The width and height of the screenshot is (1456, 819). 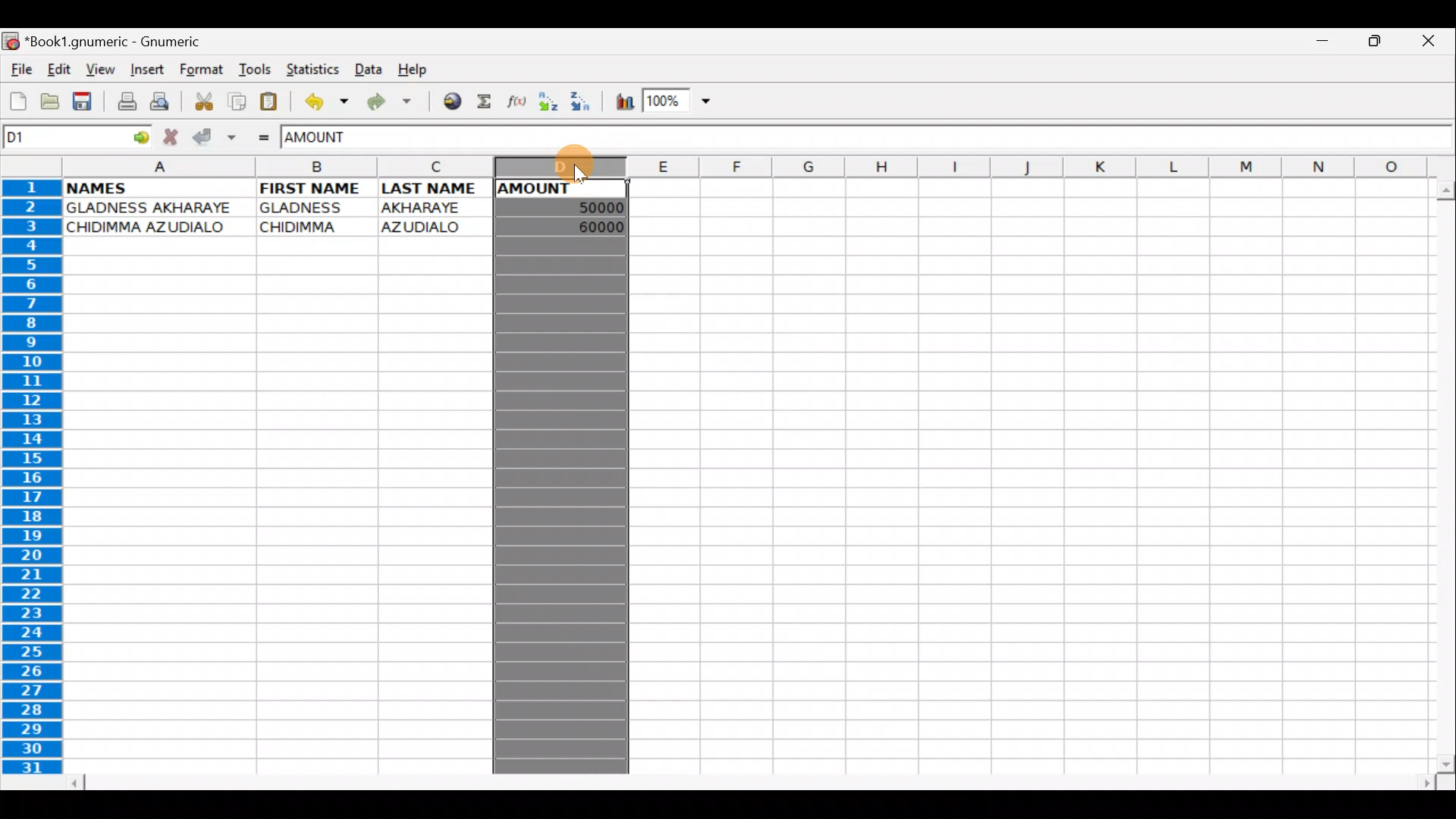 What do you see at coordinates (582, 102) in the screenshot?
I see `Sort Descending order` at bounding box center [582, 102].